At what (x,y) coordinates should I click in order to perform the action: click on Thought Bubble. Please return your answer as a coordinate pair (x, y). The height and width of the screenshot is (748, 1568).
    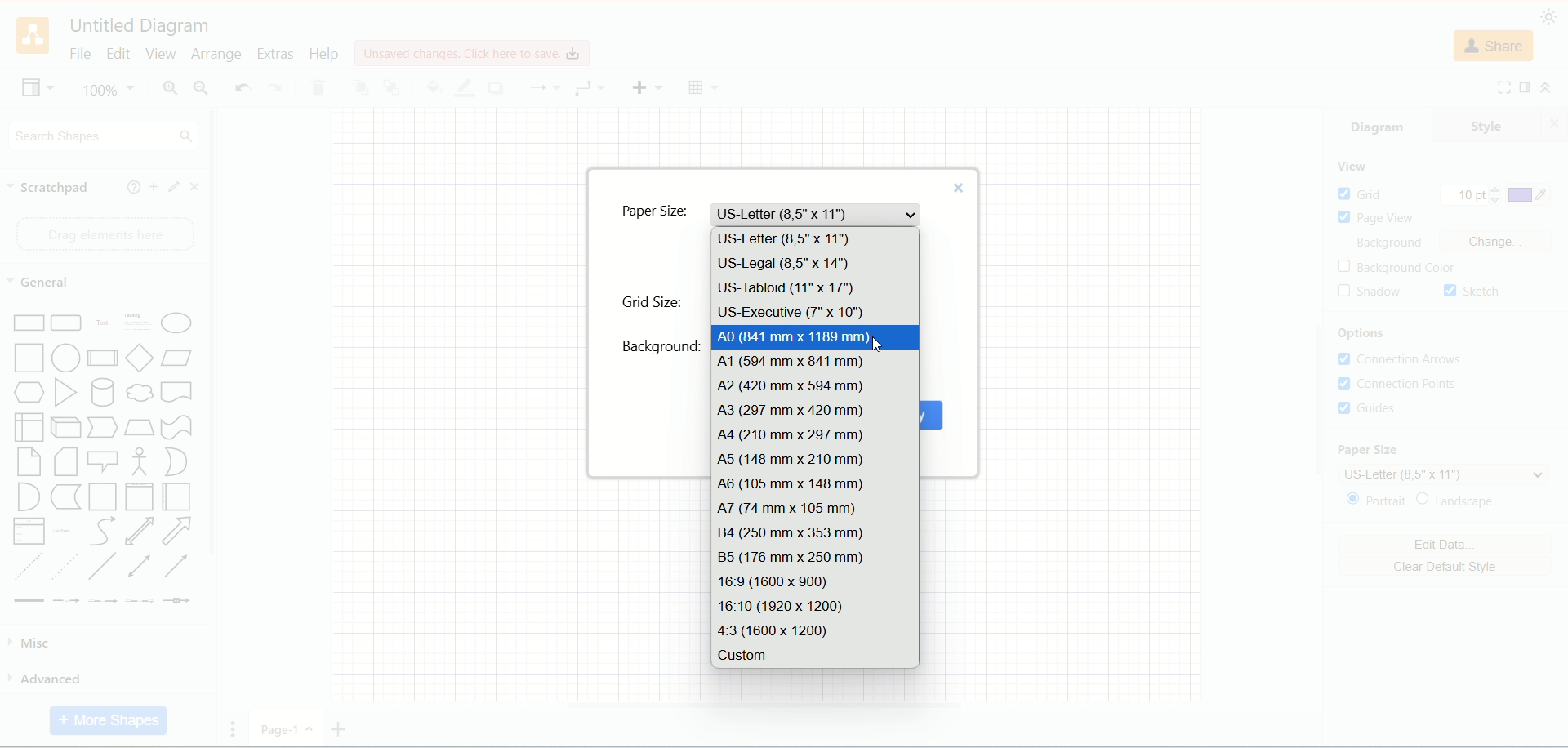
    Looking at the image, I should click on (140, 394).